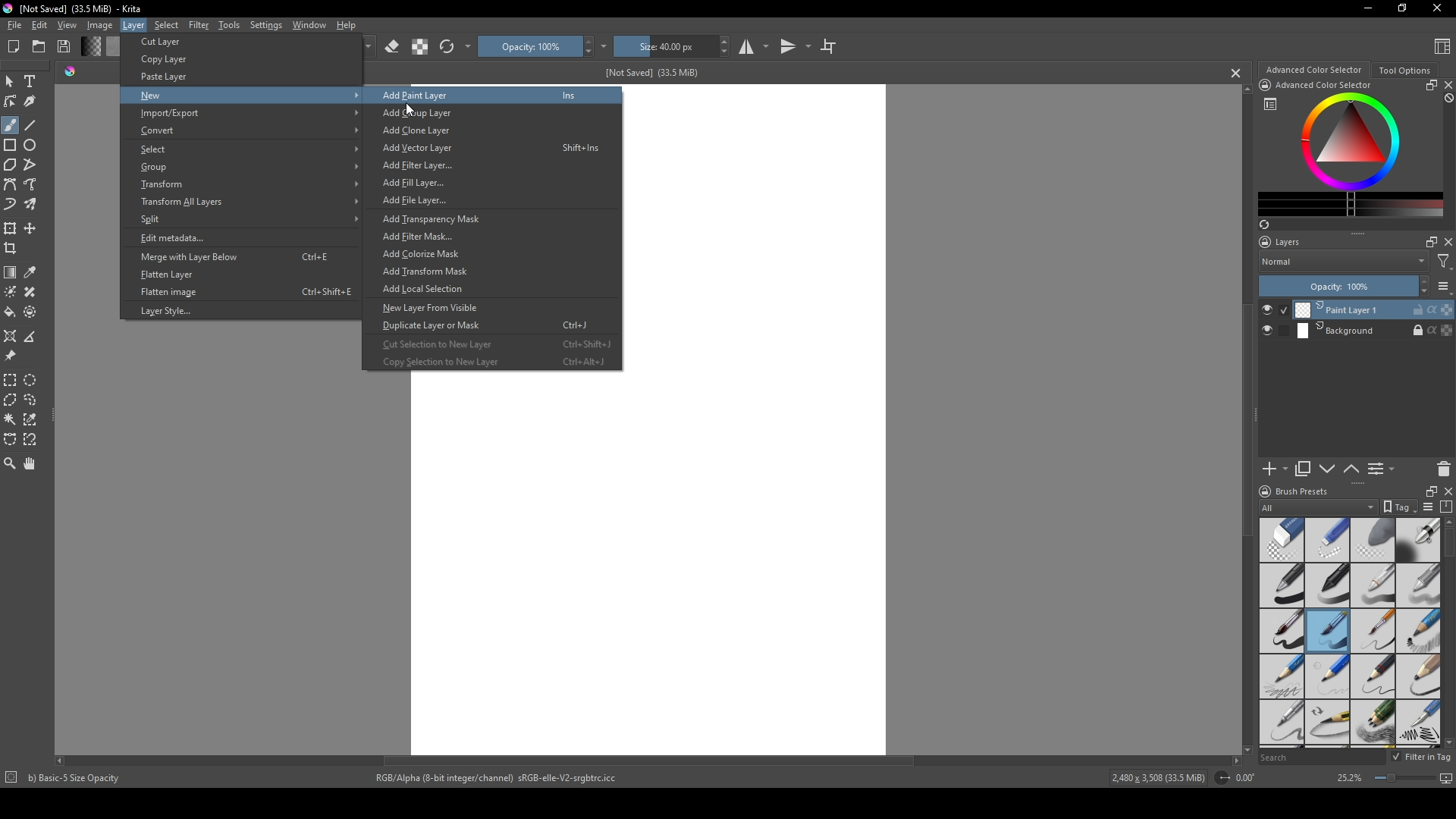  I want to click on Content, so click(1442, 45).